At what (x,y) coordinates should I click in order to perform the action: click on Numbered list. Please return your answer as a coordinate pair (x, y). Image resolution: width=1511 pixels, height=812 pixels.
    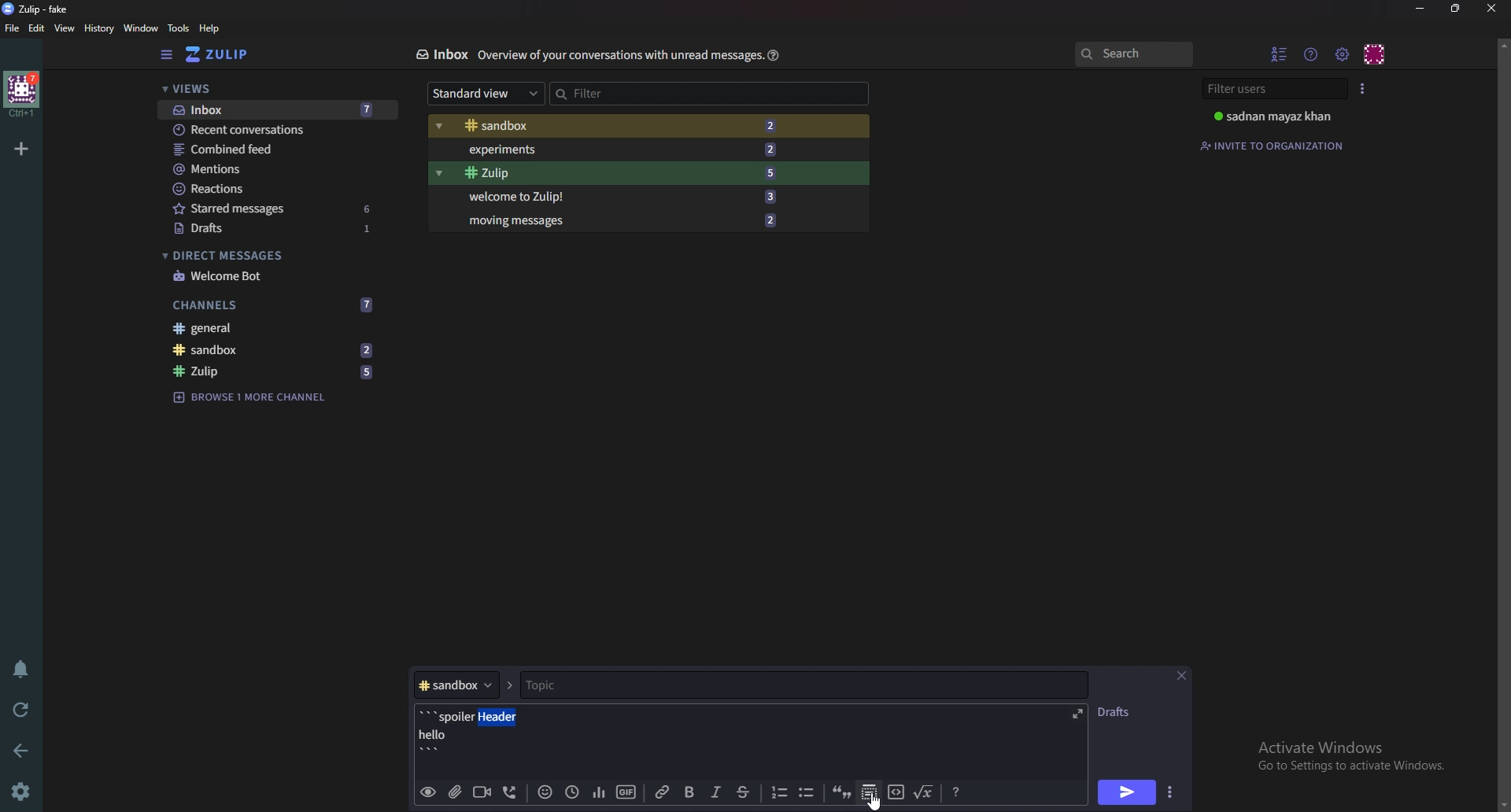
    Looking at the image, I should click on (778, 792).